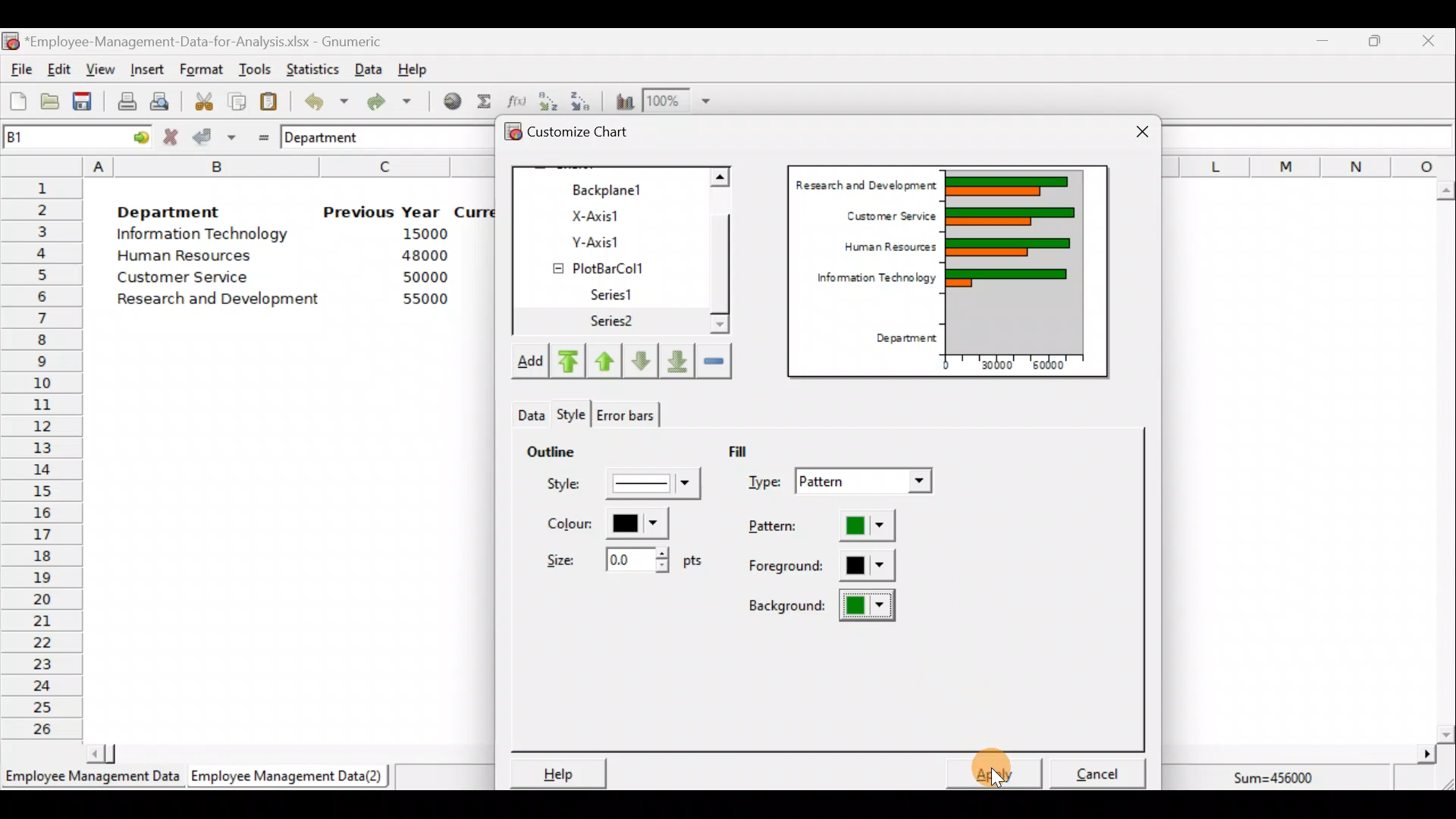 This screenshot has height=819, width=1456. I want to click on Help, so click(422, 68).